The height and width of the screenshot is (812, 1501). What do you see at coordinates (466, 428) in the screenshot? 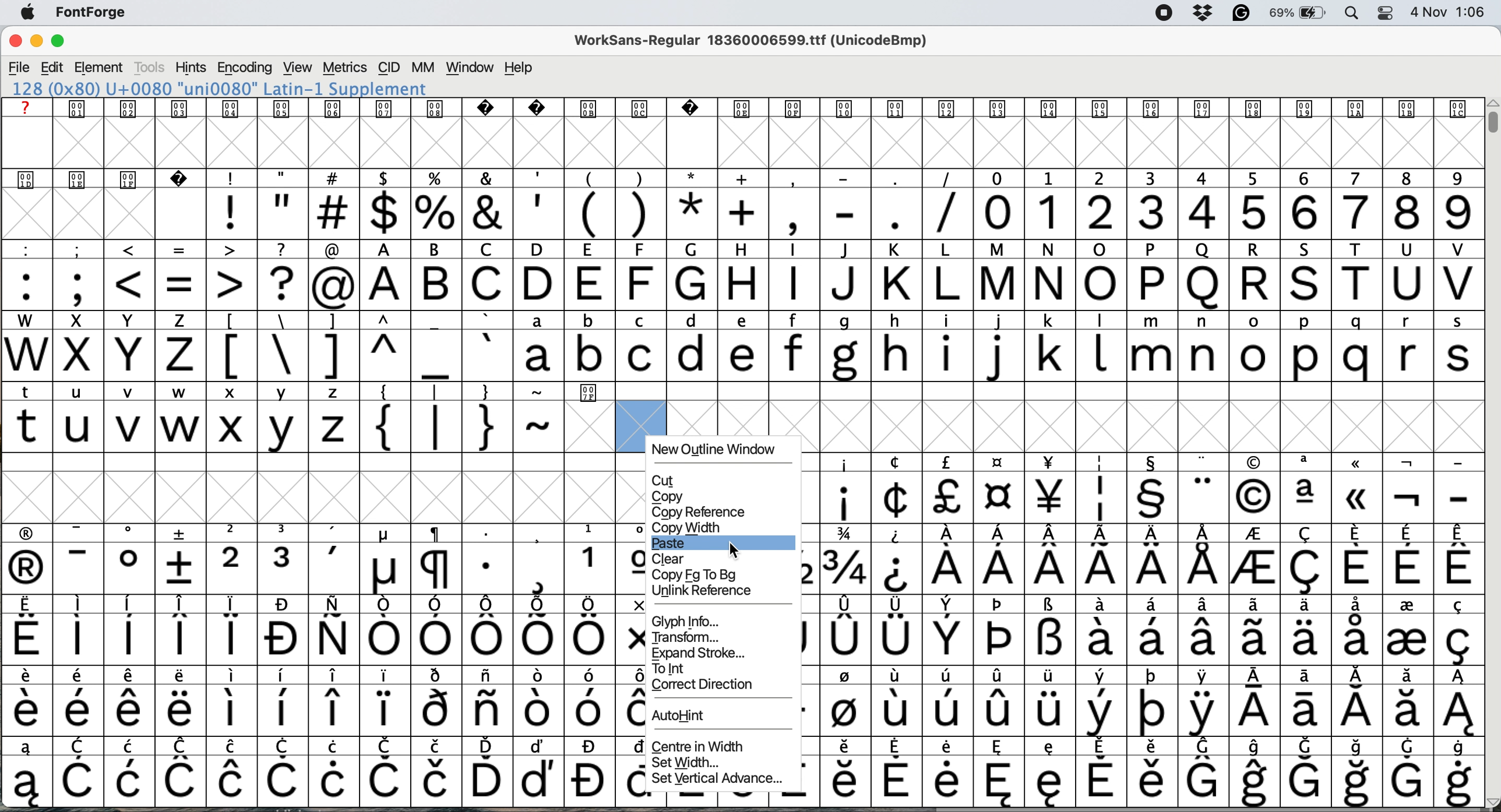
I see `special characters` at bounding box center [466, 428].